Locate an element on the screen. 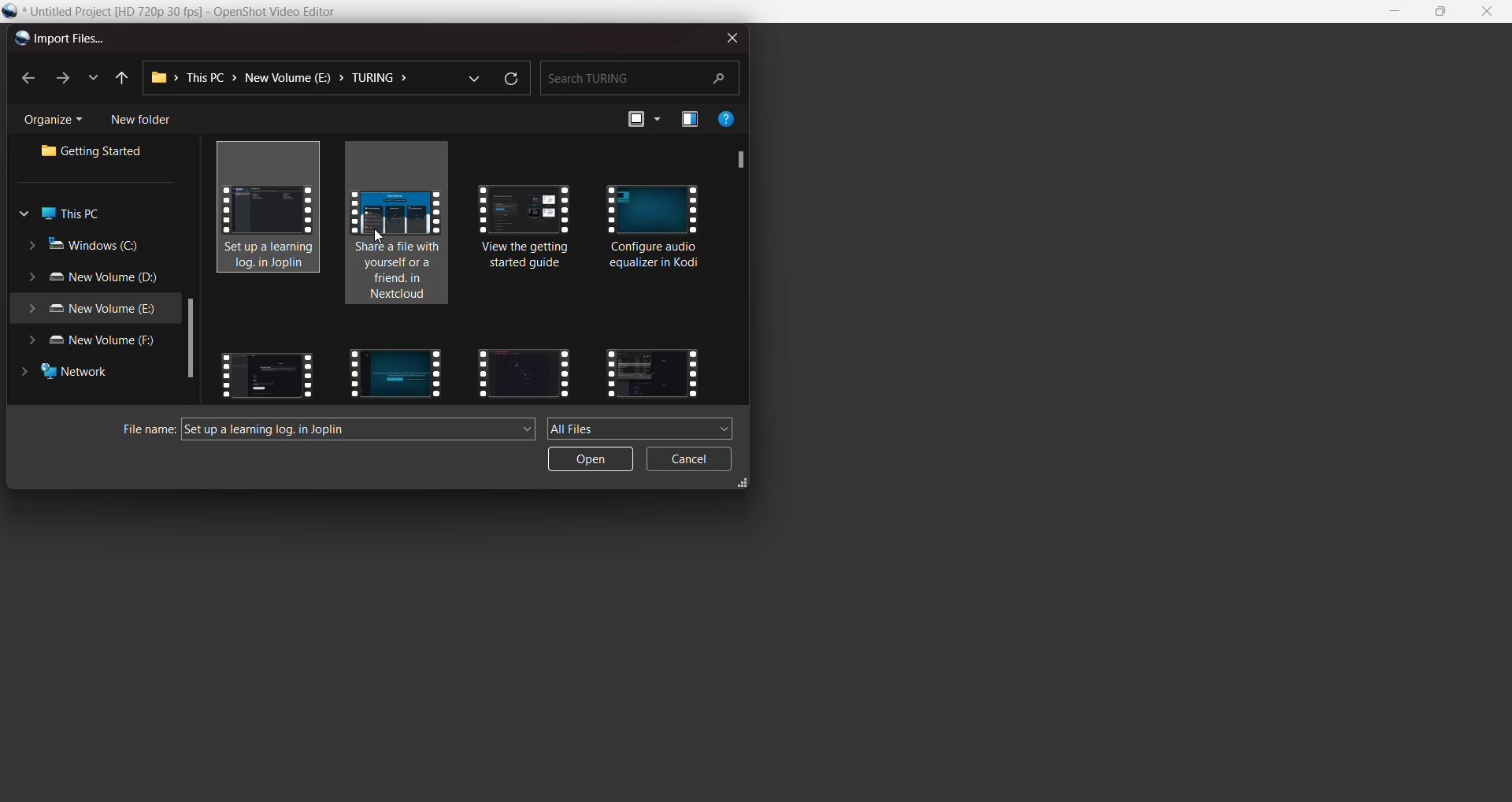 Image resolution: width=1512 pixels, height=802 pixels. cursor is located at coordinates (379, 234).